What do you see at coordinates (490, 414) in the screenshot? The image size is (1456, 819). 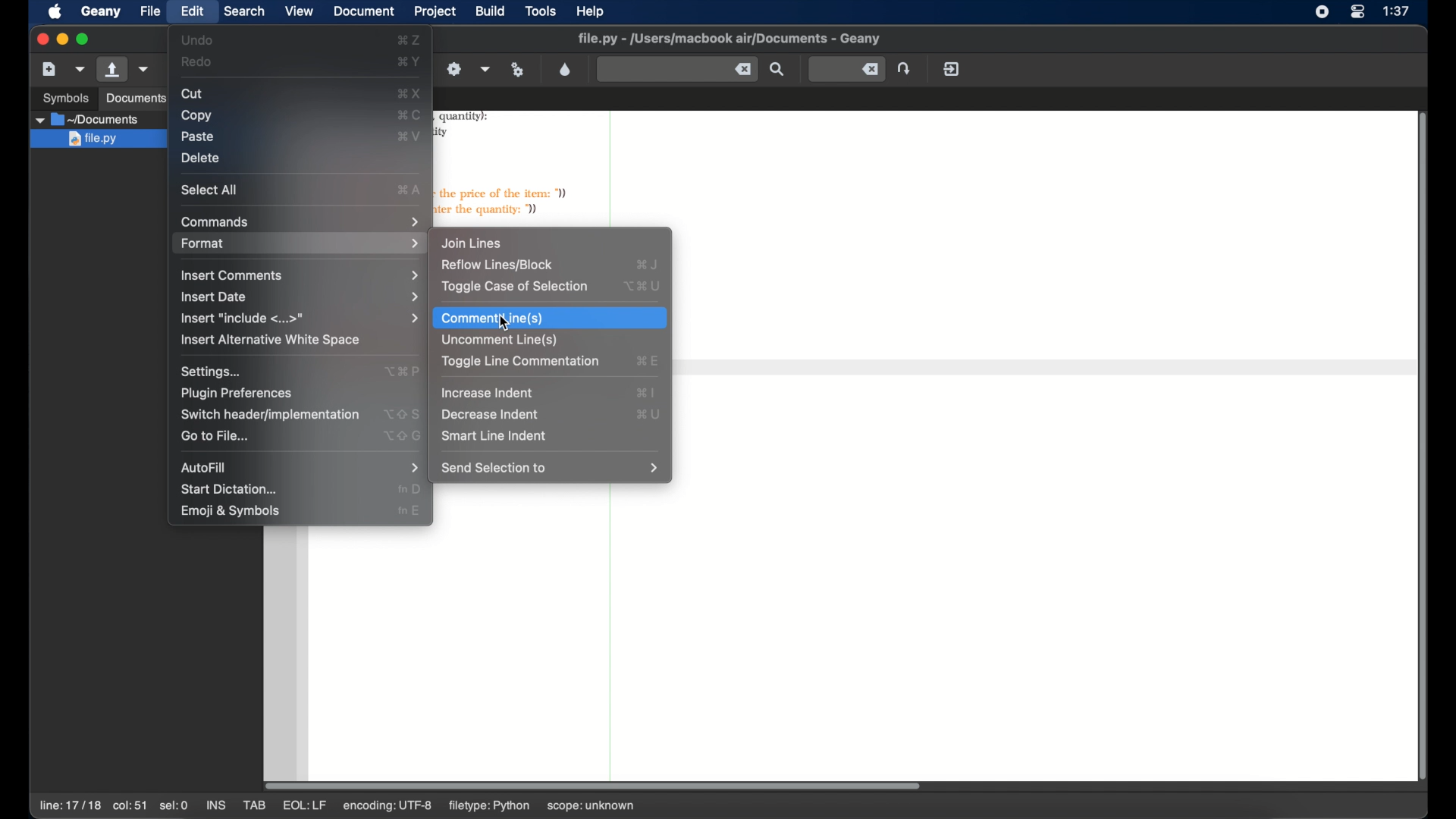 I see `decrease indent` at bounding box center [490, 414].